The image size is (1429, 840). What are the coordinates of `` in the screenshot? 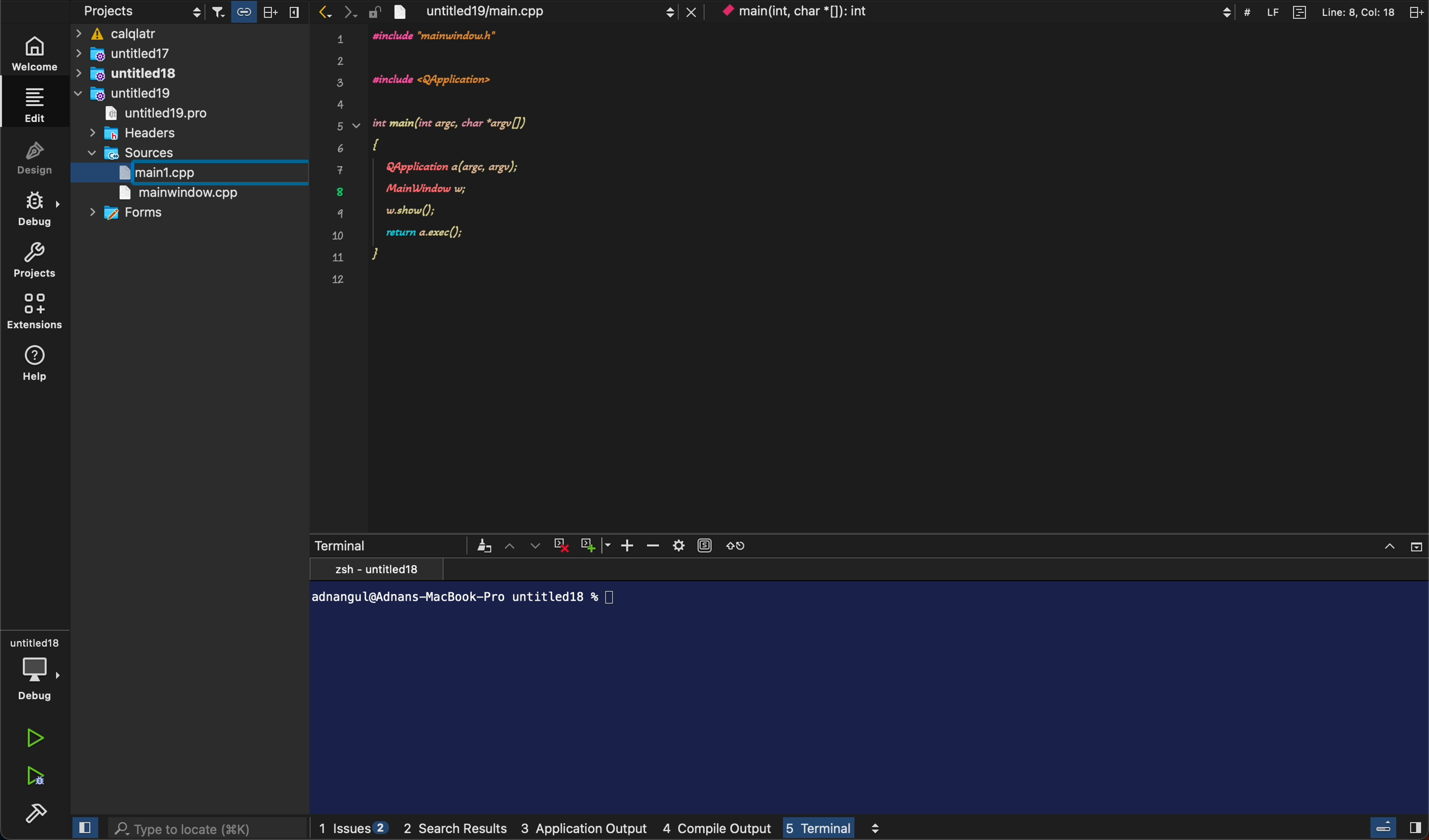 It's located at (866, 686).